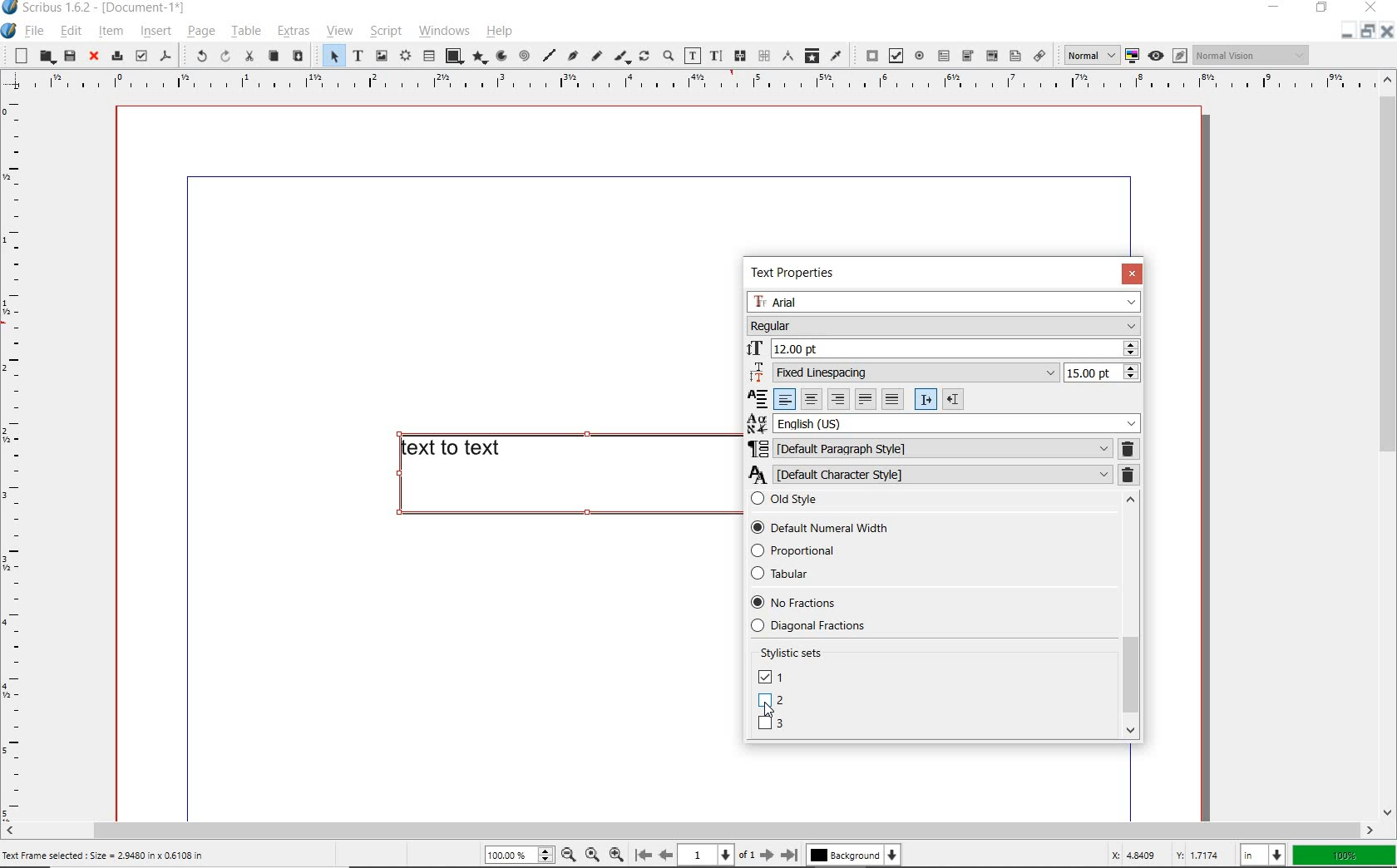 This screenshot has height=868, width=1397. I want to click on Fixed Linespacing, so click(902, 372).